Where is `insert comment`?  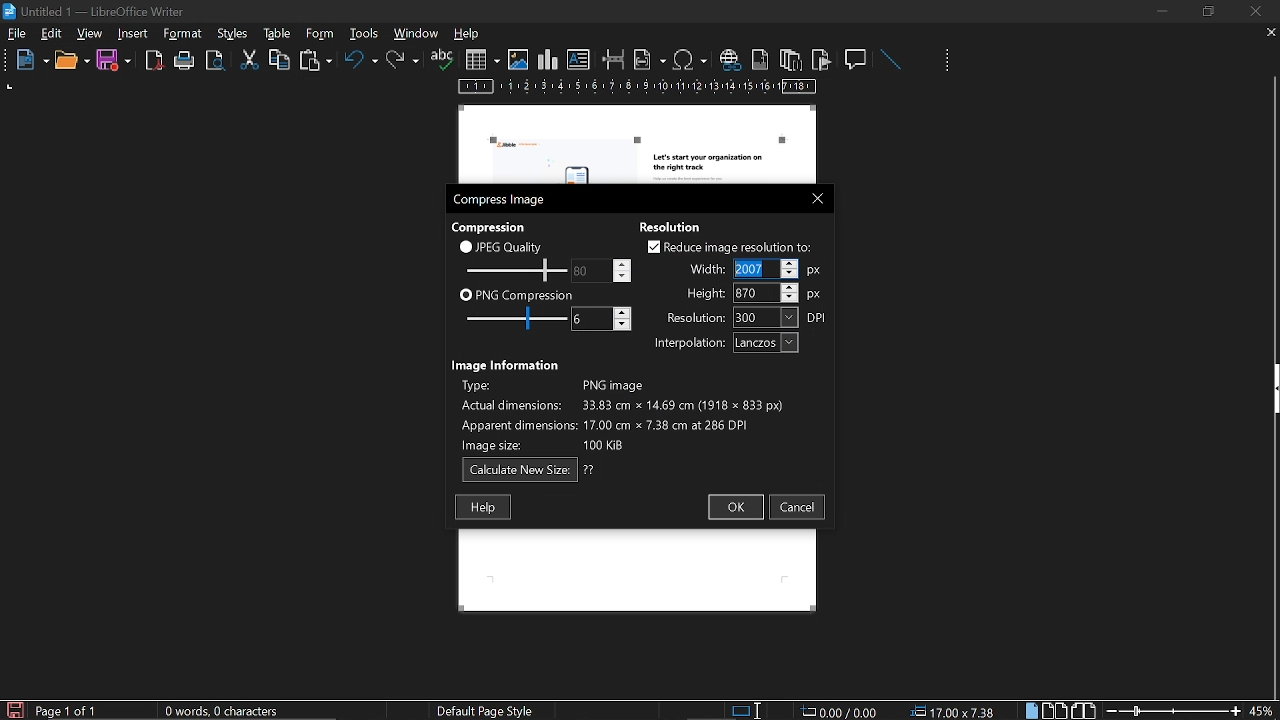 insert comment is located at coordinates (857, 58).